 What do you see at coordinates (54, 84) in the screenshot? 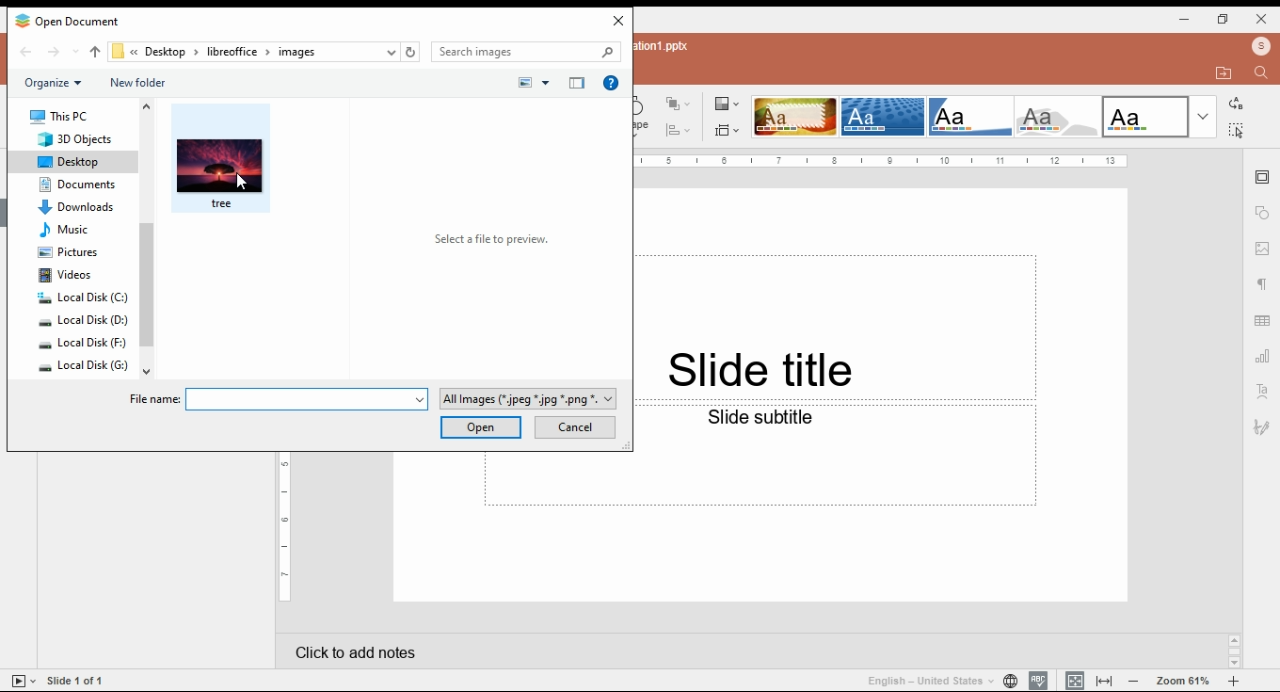
I see `organize` at bounding box center [54, 84].